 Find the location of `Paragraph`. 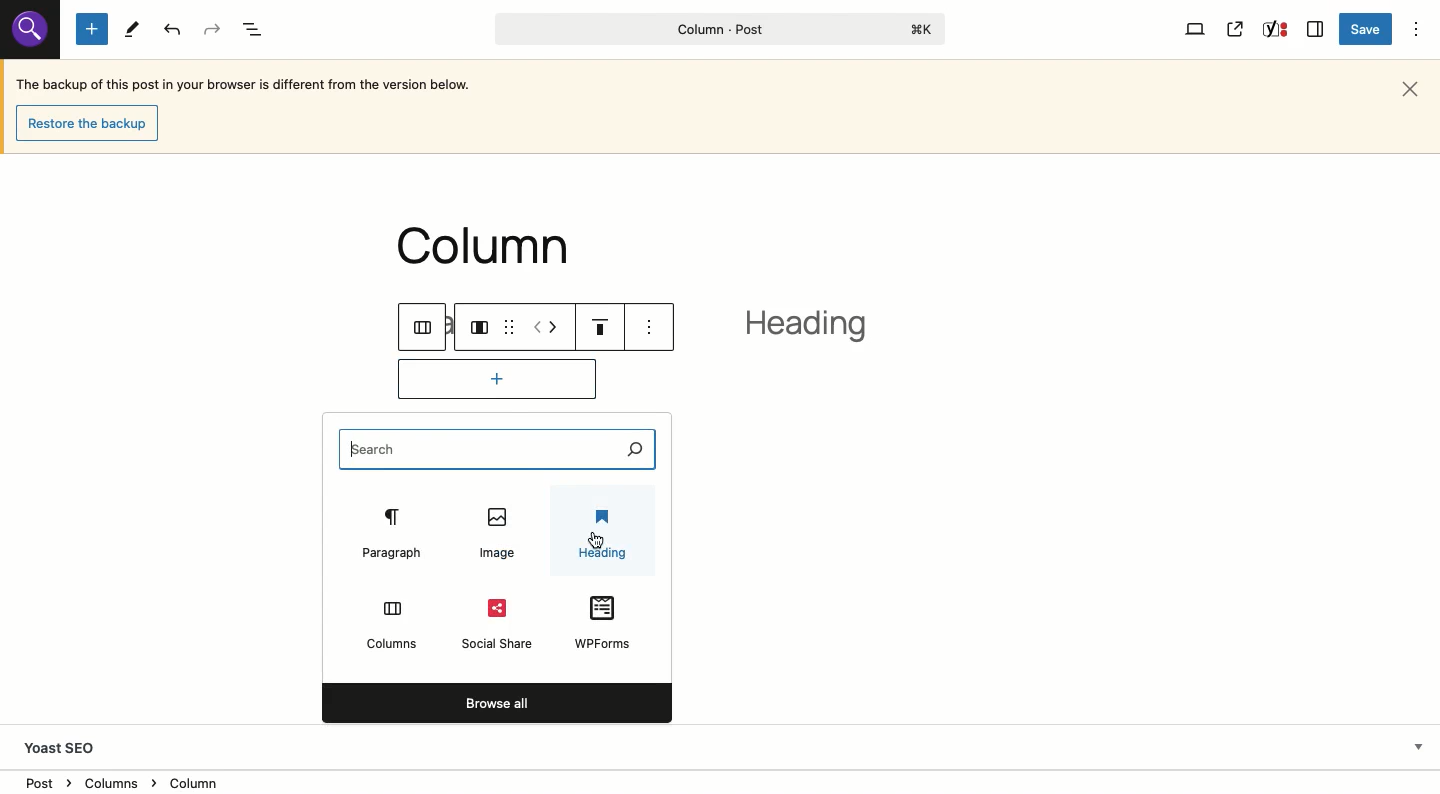

Paragraph is located at coordinates (388, 529).